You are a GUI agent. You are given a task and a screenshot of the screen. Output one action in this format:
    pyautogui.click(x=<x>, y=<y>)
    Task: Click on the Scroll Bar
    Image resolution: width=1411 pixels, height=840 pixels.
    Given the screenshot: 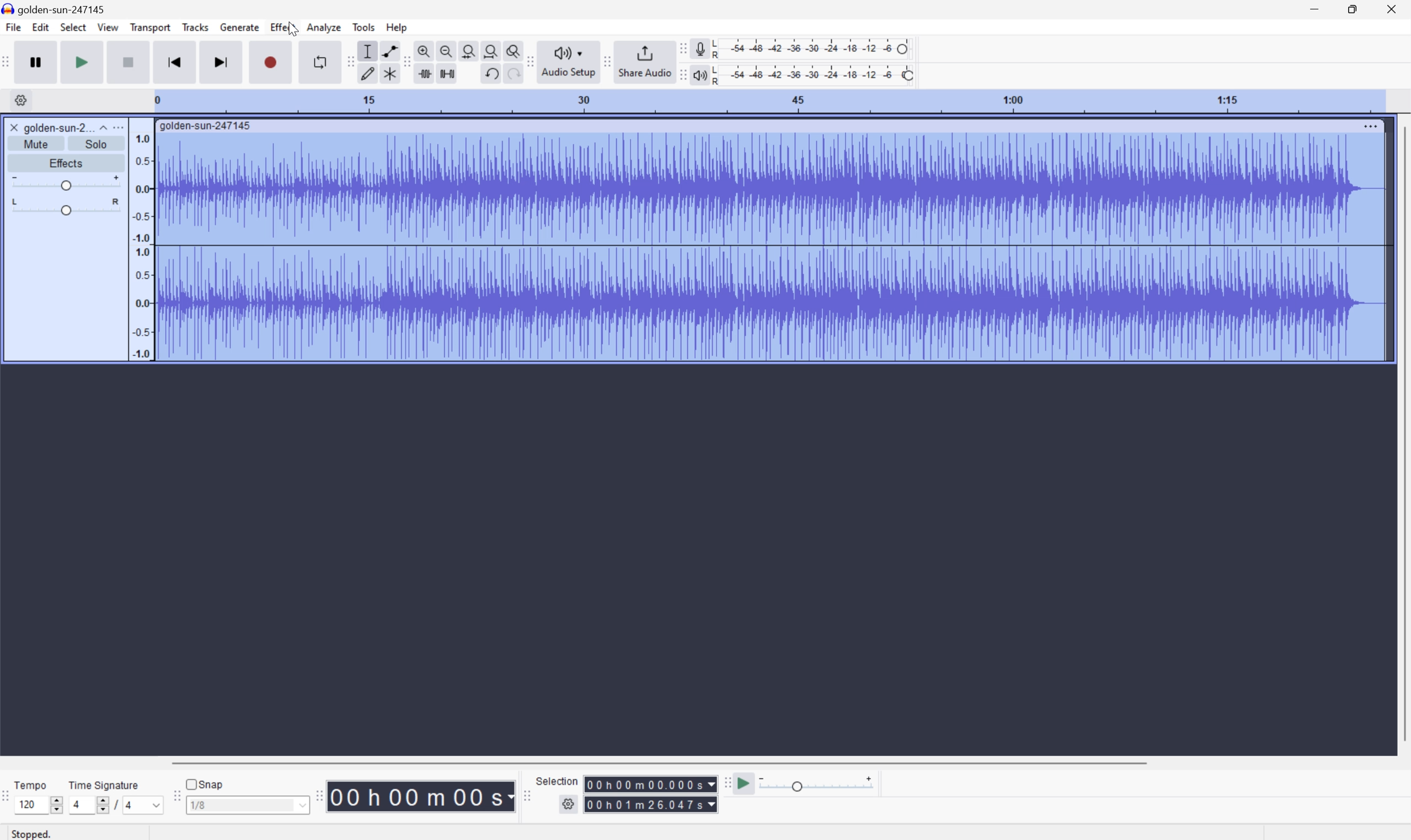 What is the action you would take?
    pyautogui.click(x=659, y=762)
    